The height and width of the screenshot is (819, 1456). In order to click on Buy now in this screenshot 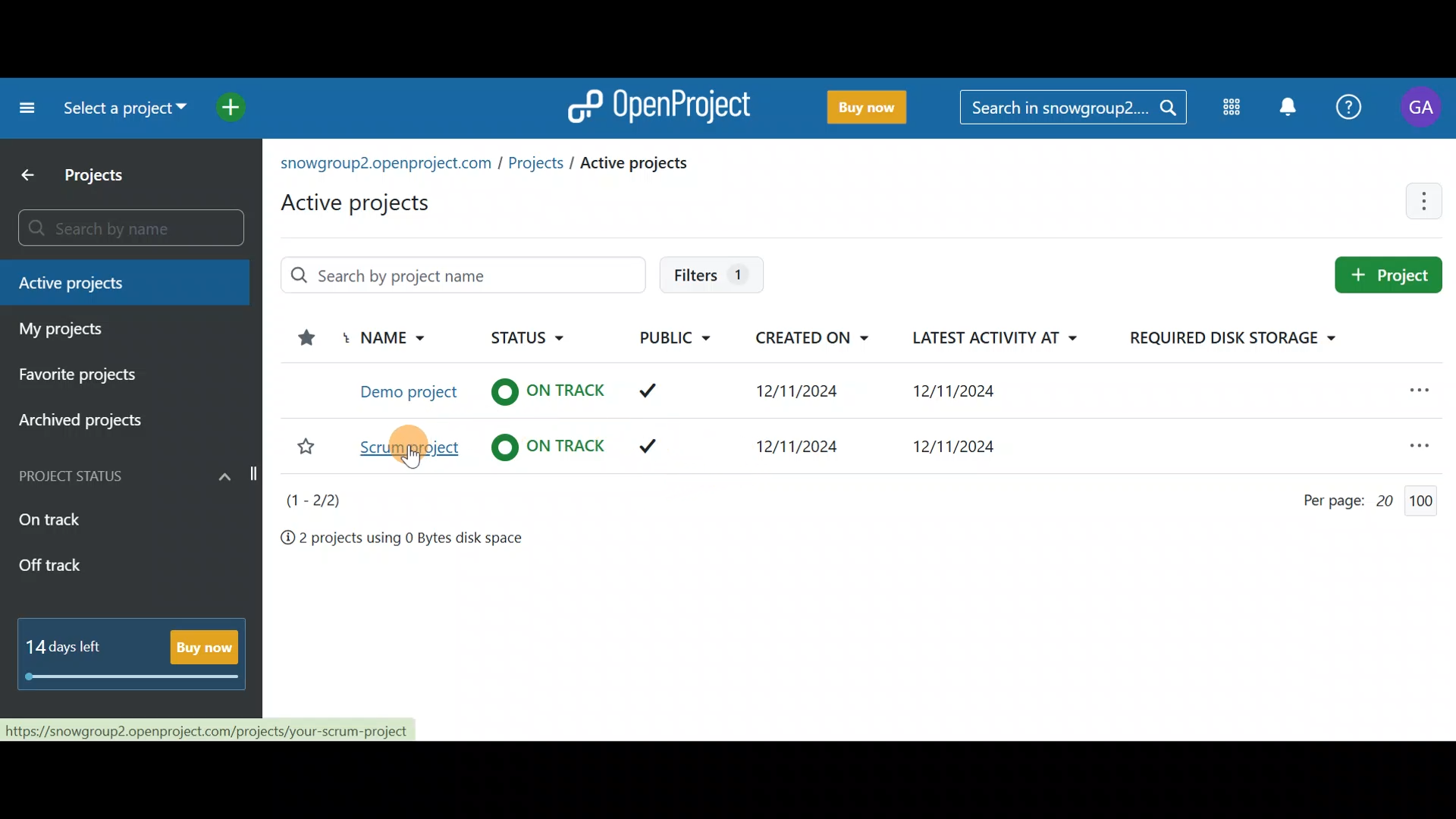, I will do `click(138, 657)`.